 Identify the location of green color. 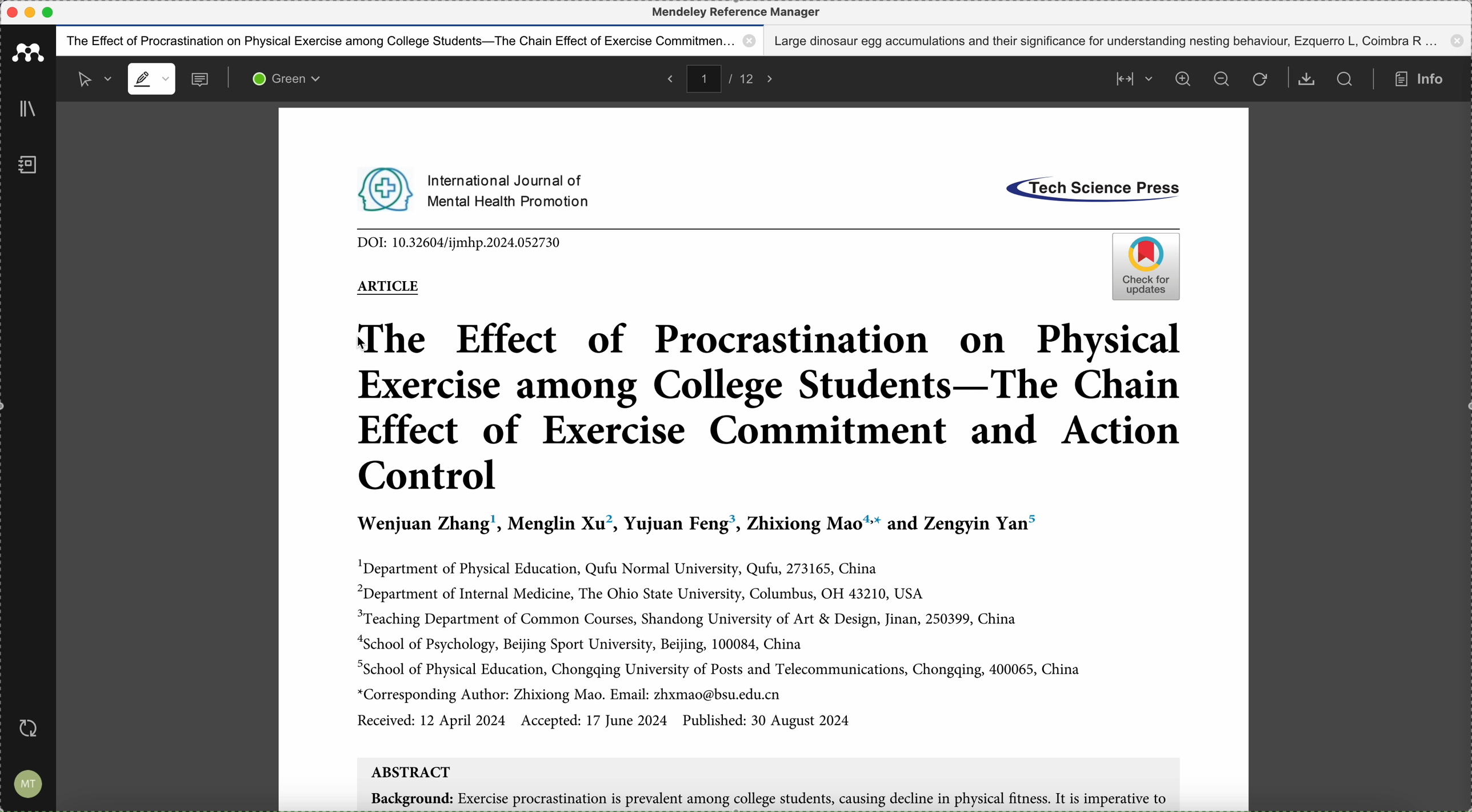
(289, 81).